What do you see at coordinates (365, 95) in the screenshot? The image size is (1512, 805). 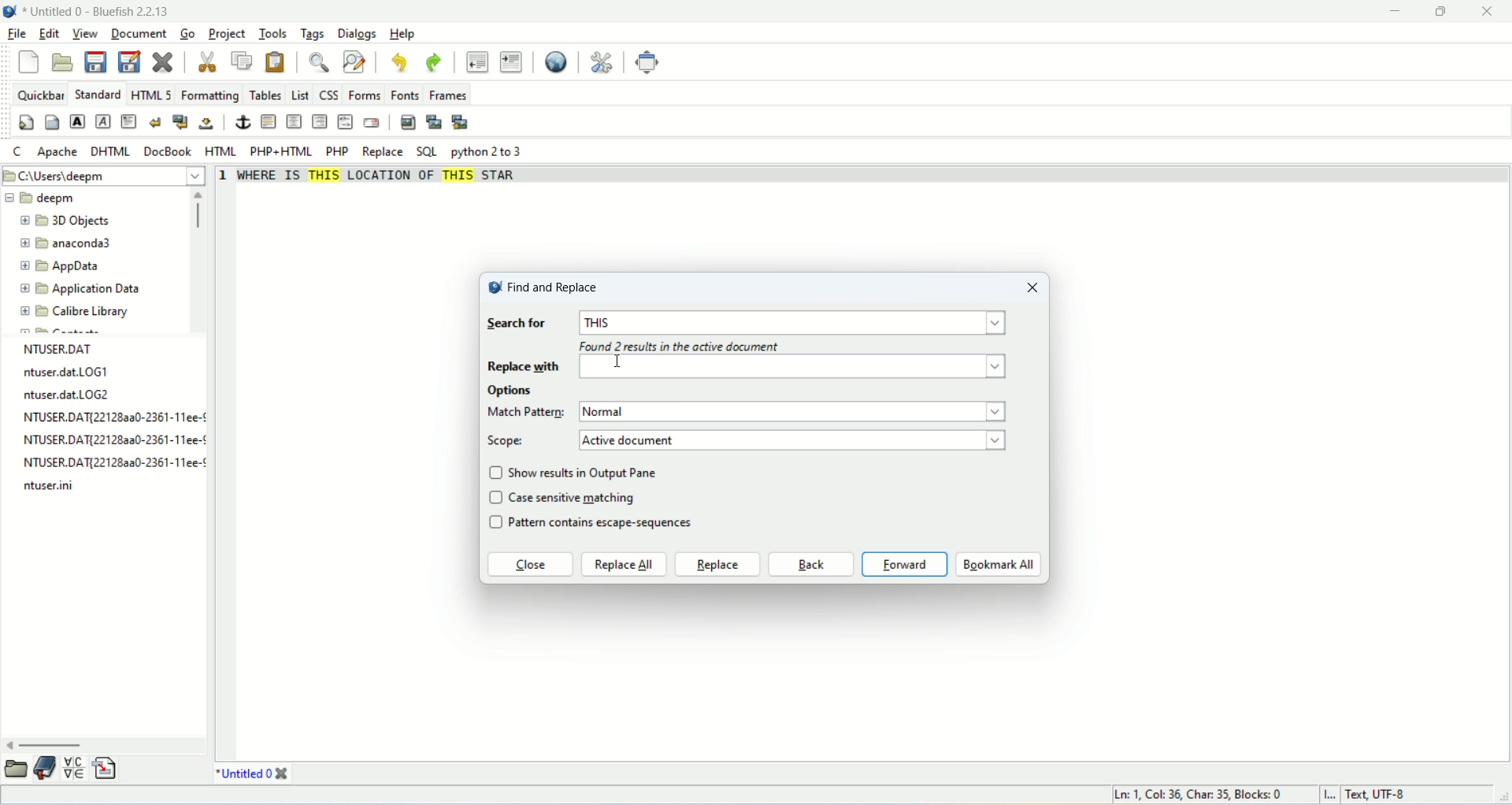 I see `forms` at bounding box center [365, 95].